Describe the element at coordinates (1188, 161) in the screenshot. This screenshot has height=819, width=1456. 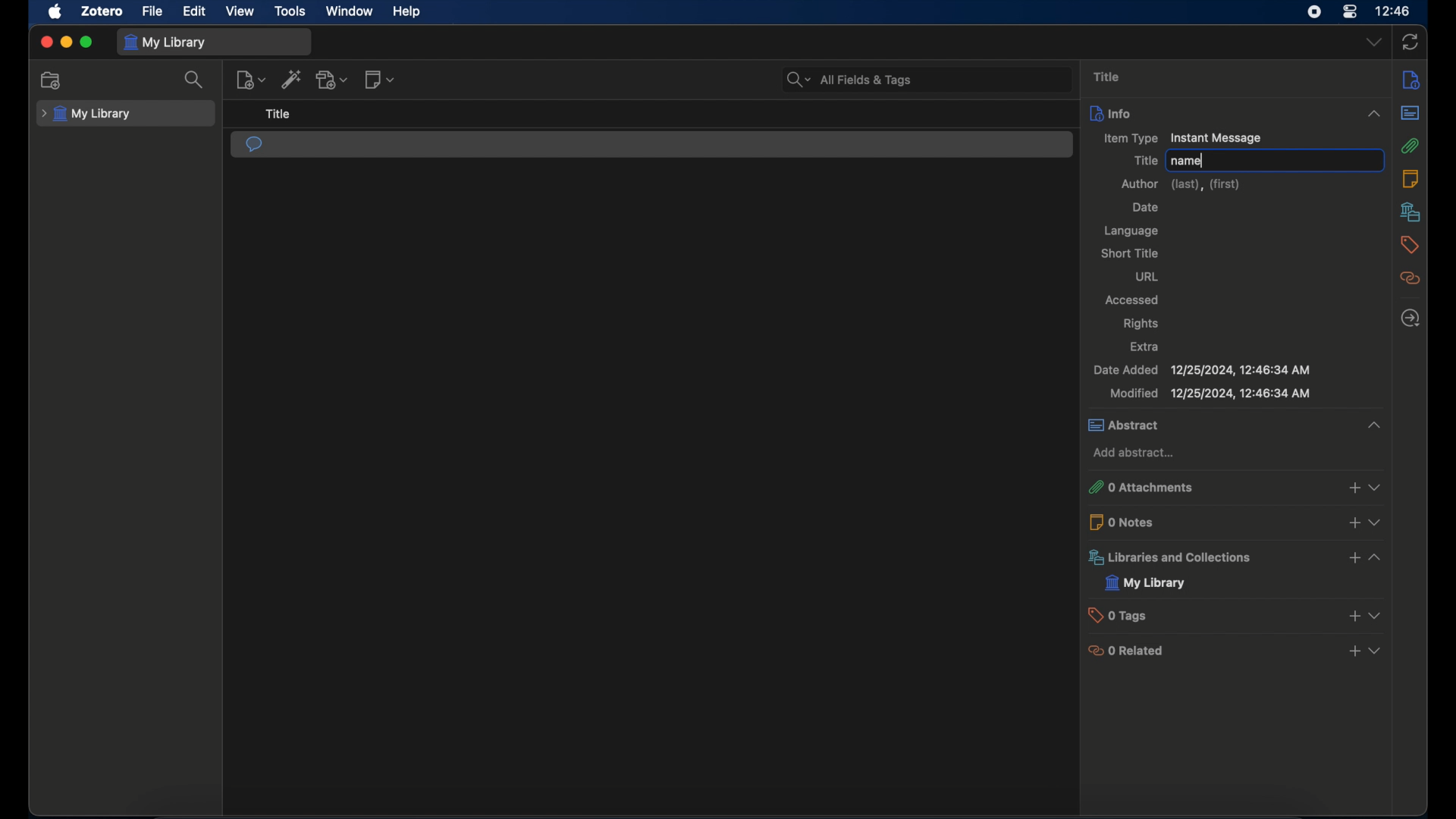
I see `name` at that location.